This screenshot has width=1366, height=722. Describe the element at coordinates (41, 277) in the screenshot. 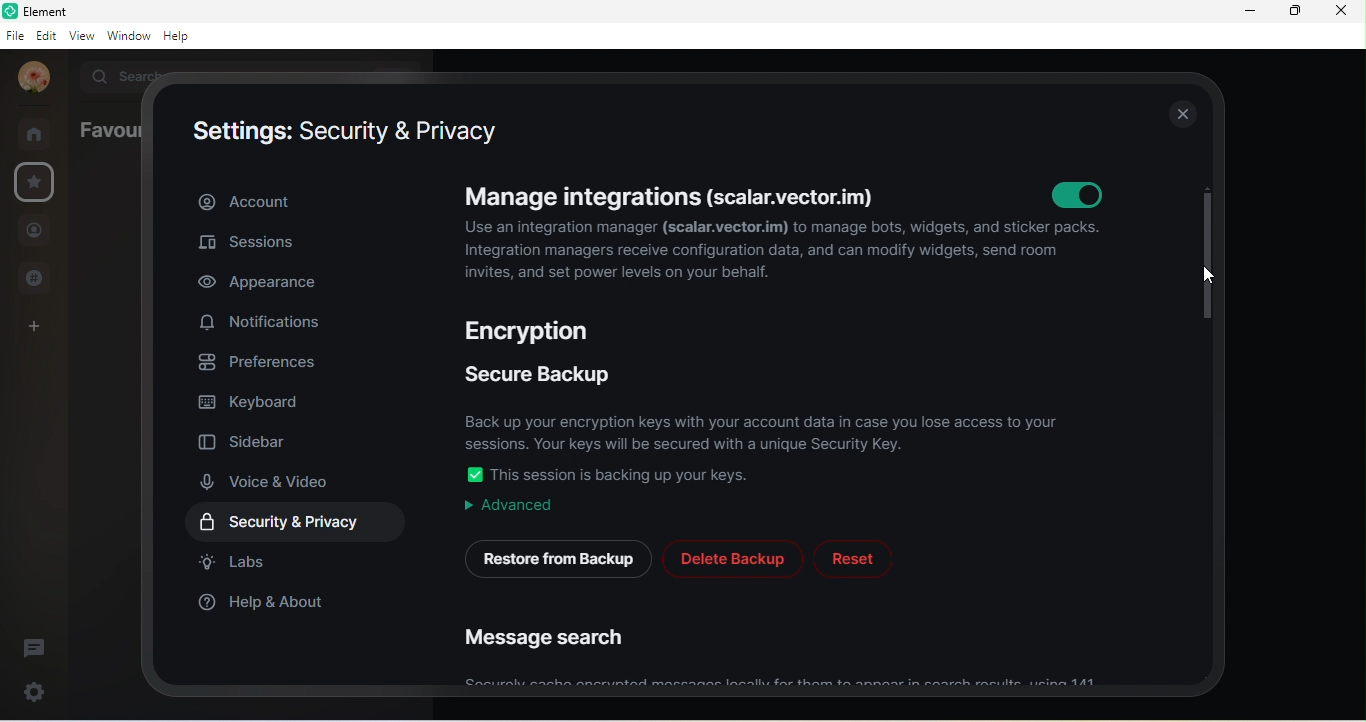

I see `public room` at that location.